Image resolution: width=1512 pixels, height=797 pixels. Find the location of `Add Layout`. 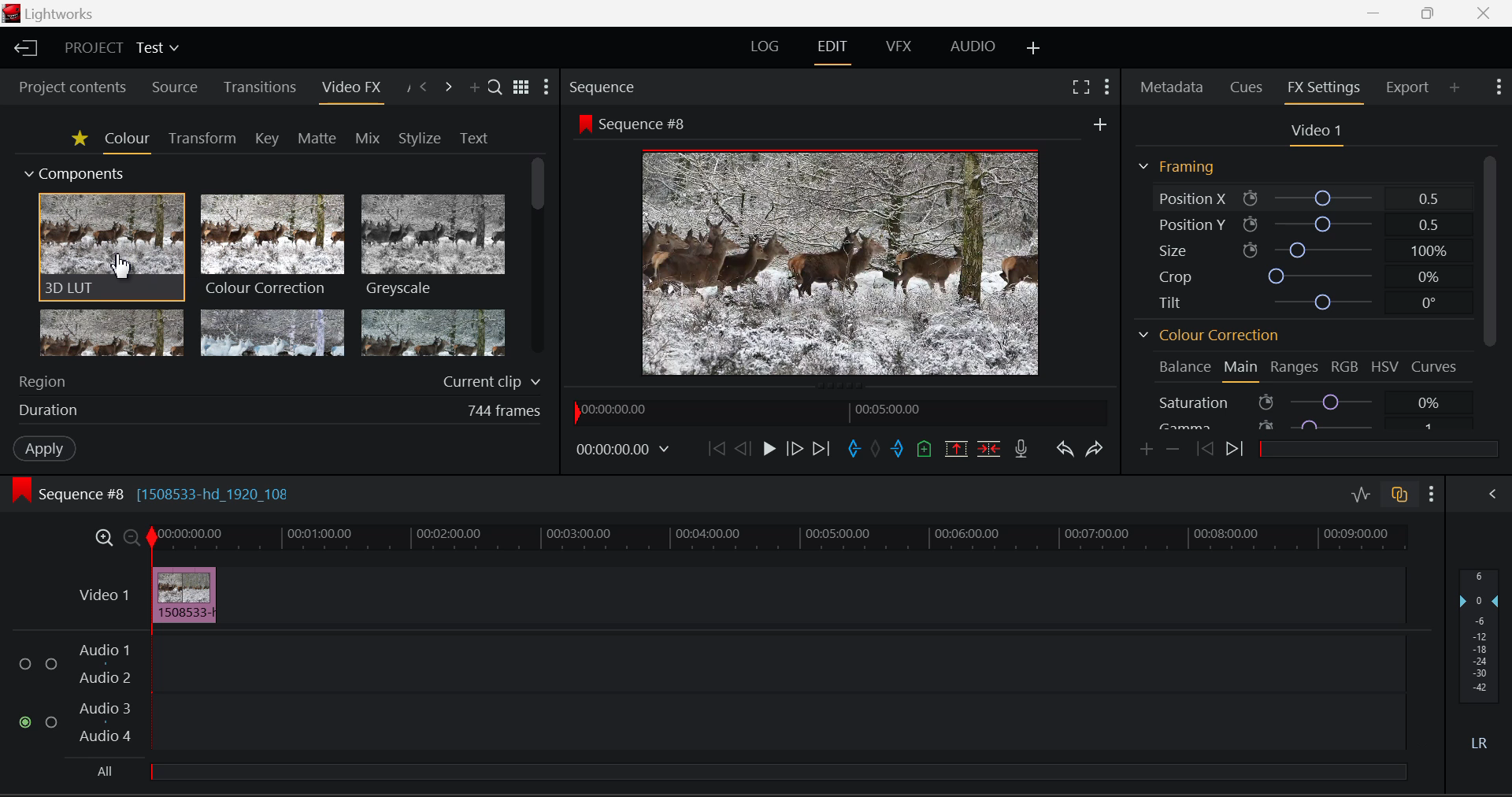

Add Layout is located at coordinates (1032, 48).